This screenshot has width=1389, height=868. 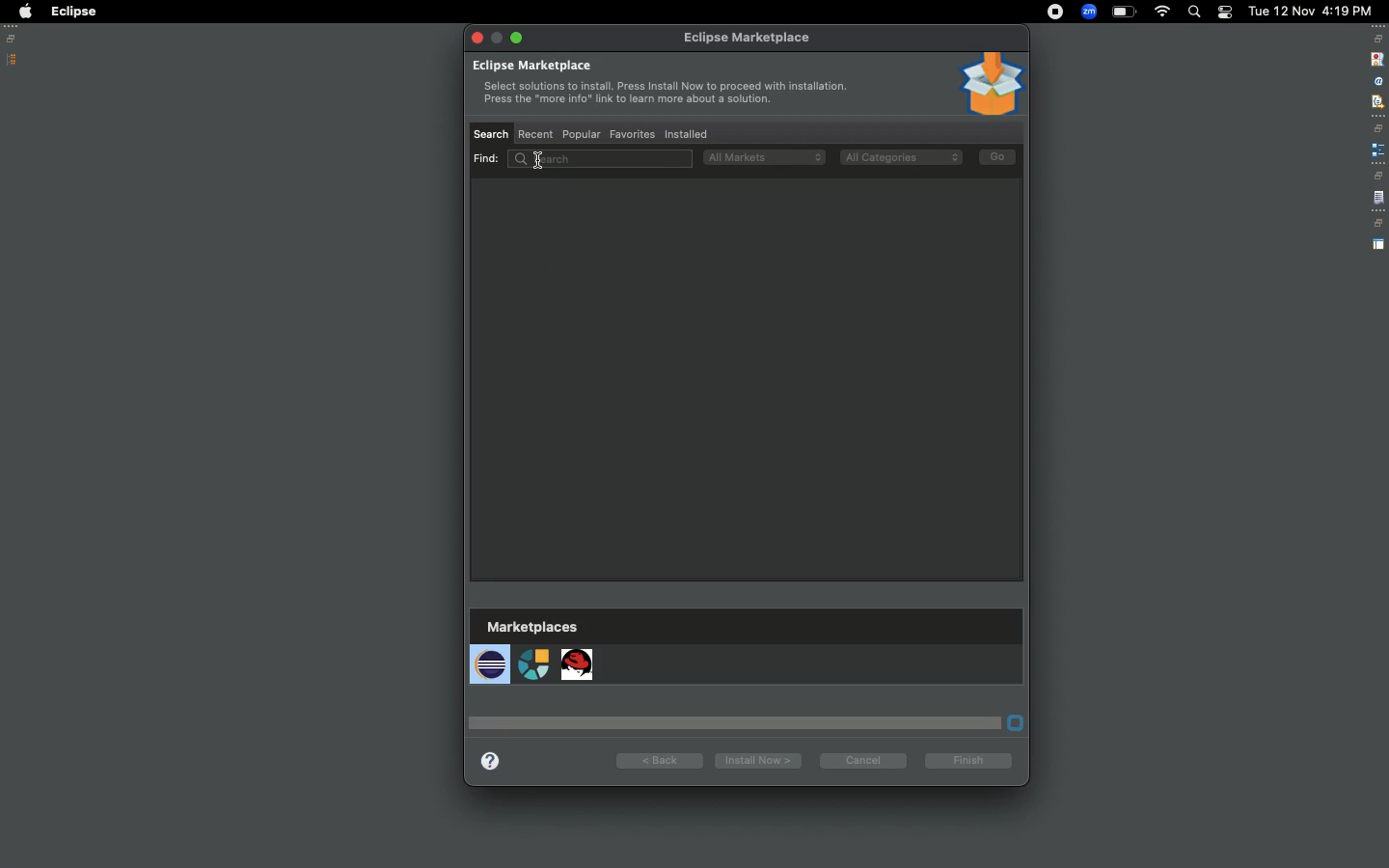 I want to click on Go, so click(x=998, y=157).